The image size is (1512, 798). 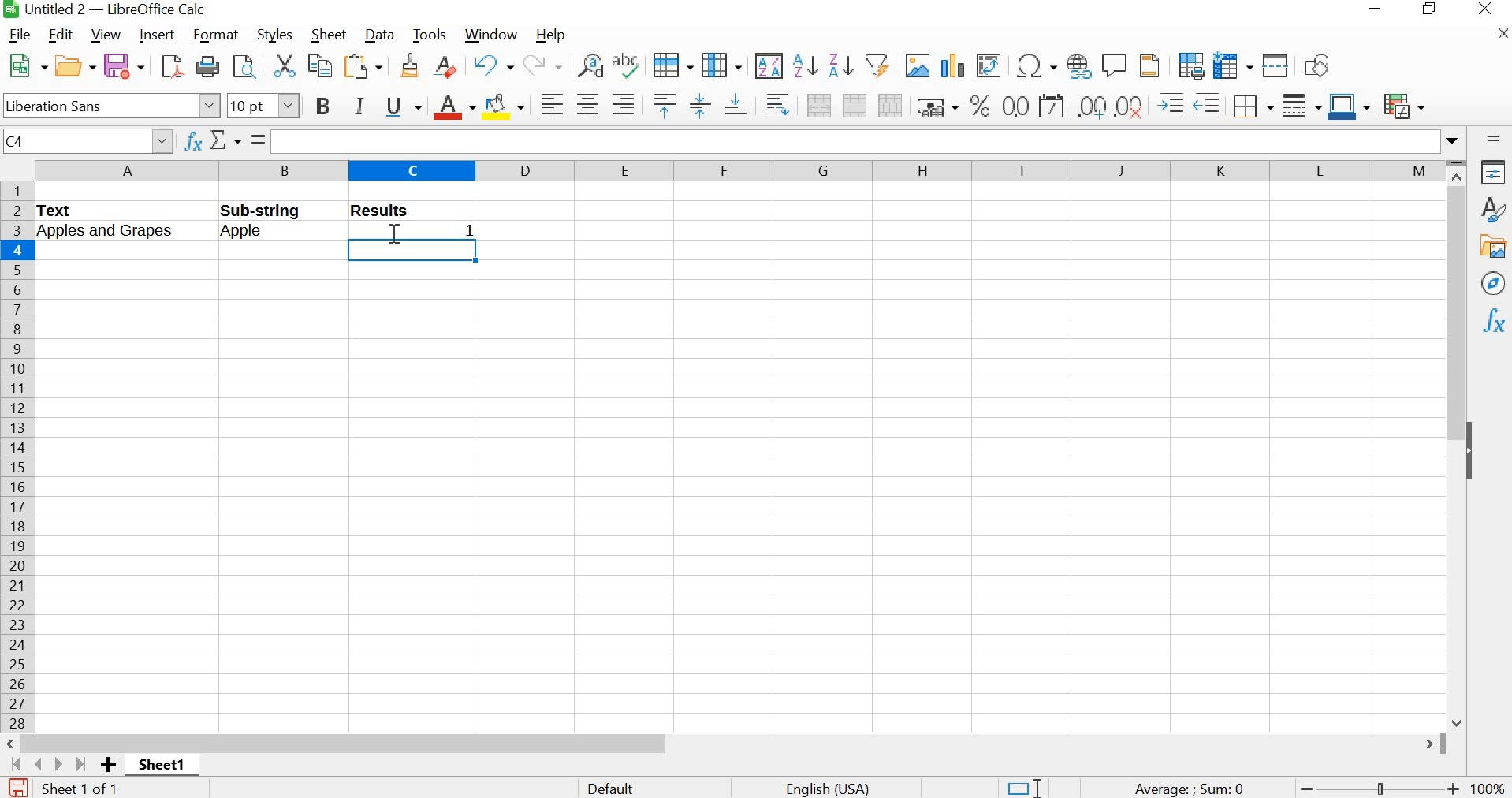 What do you see at coordinates (1495, 320) in the screenshot?
I see `functions` at bounding box center [1495, 320].